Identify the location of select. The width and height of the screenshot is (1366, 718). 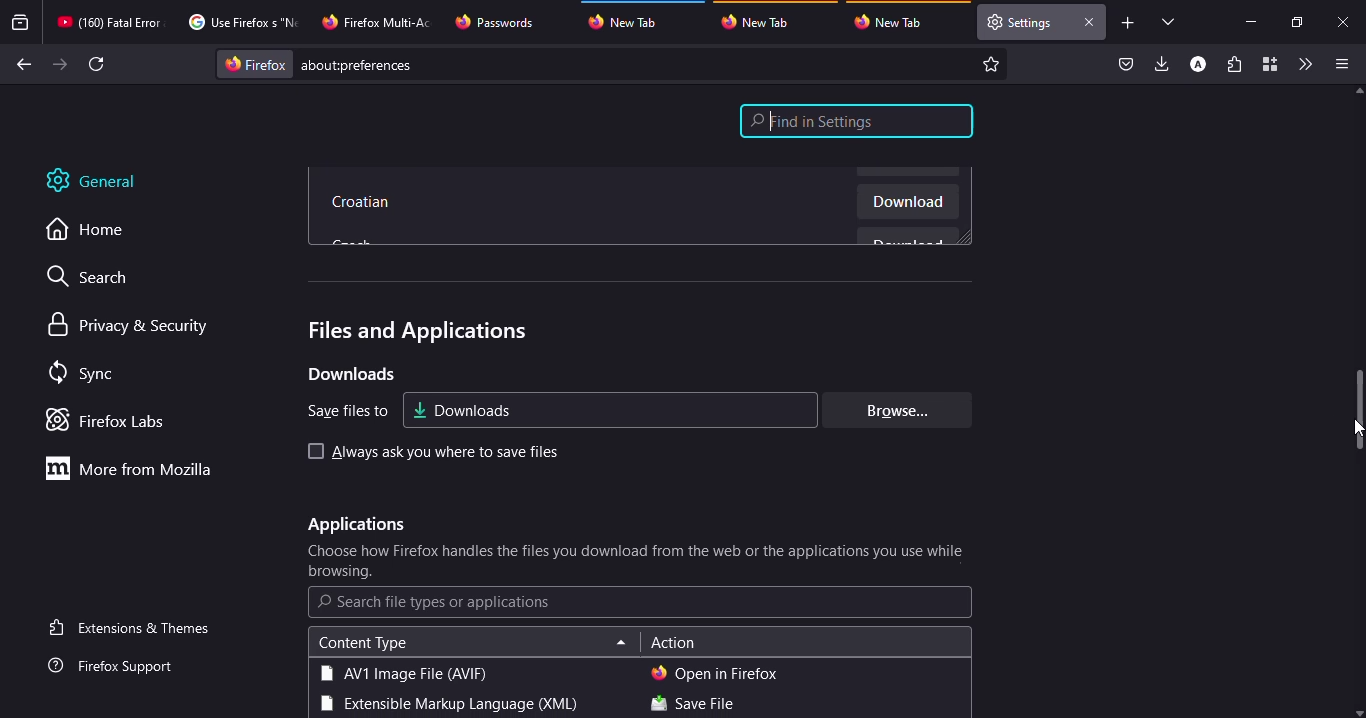
(313, 451).